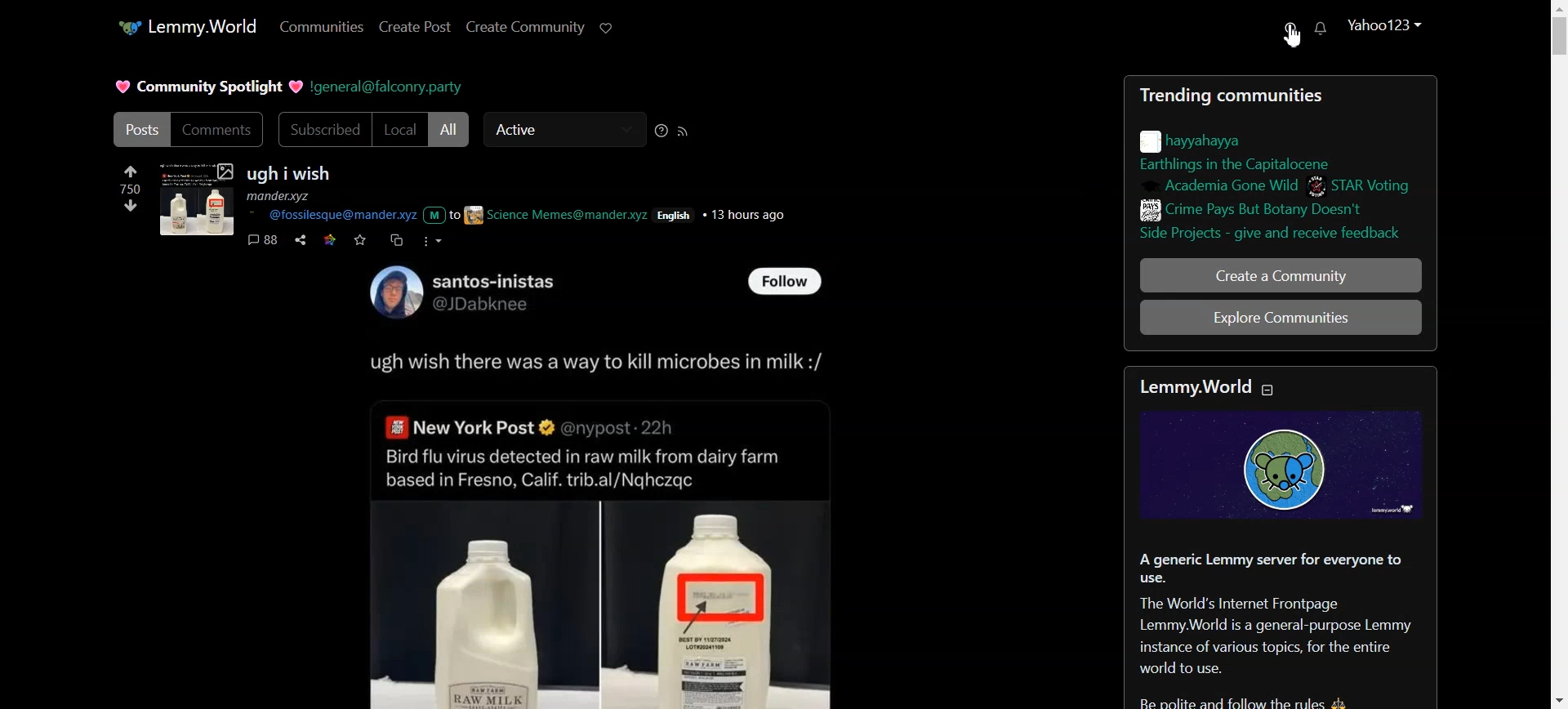 The width and height of the screenshot is (1568, 709). What do you see at coordinates (301, 240) in the screenshot?
I see `Share` at bounding box center [301, 240].